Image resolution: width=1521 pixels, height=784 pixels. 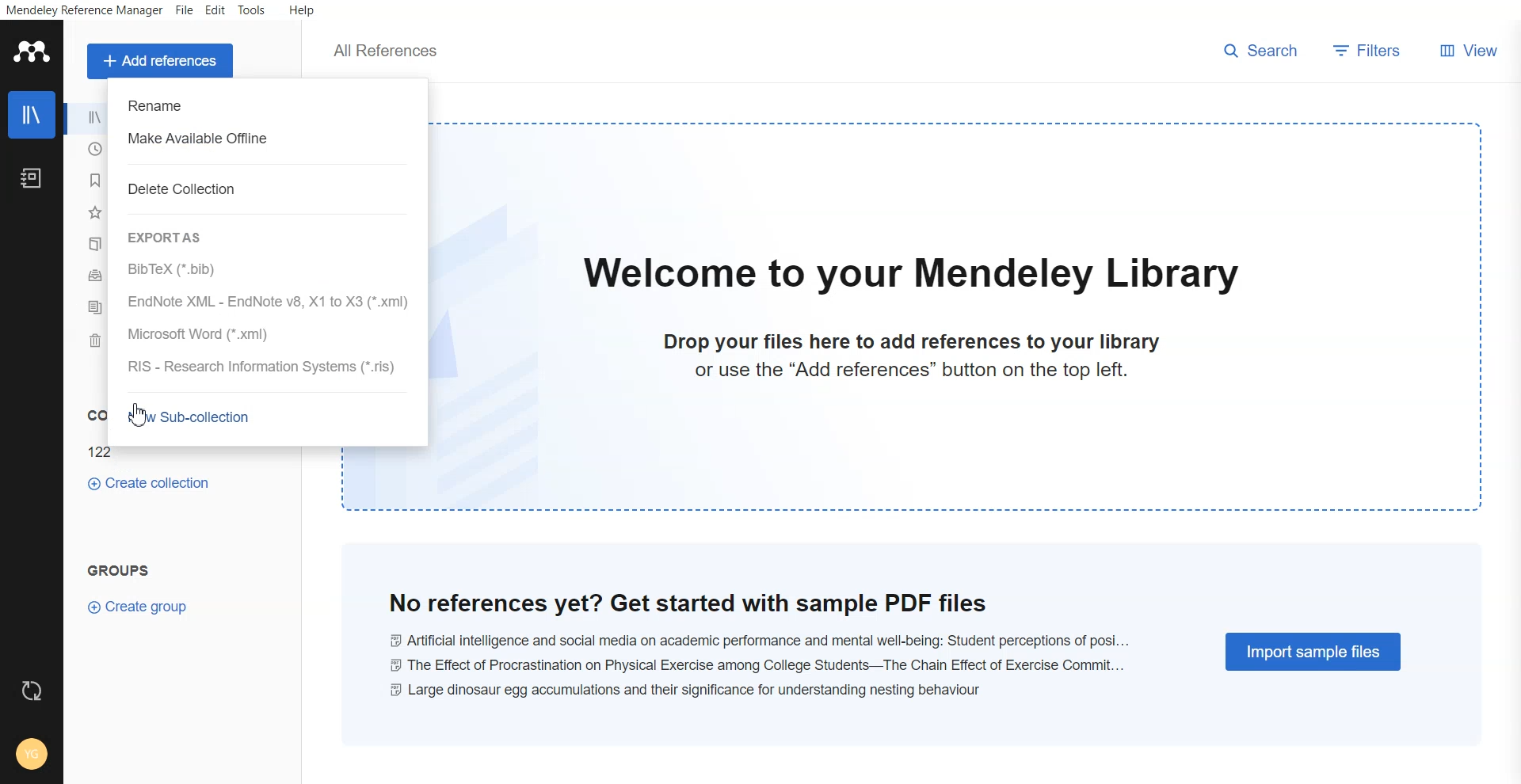 What do you see at coordinates (125, 568) in the screenshot?
I see `Groups` at bounding box center [125, 568].